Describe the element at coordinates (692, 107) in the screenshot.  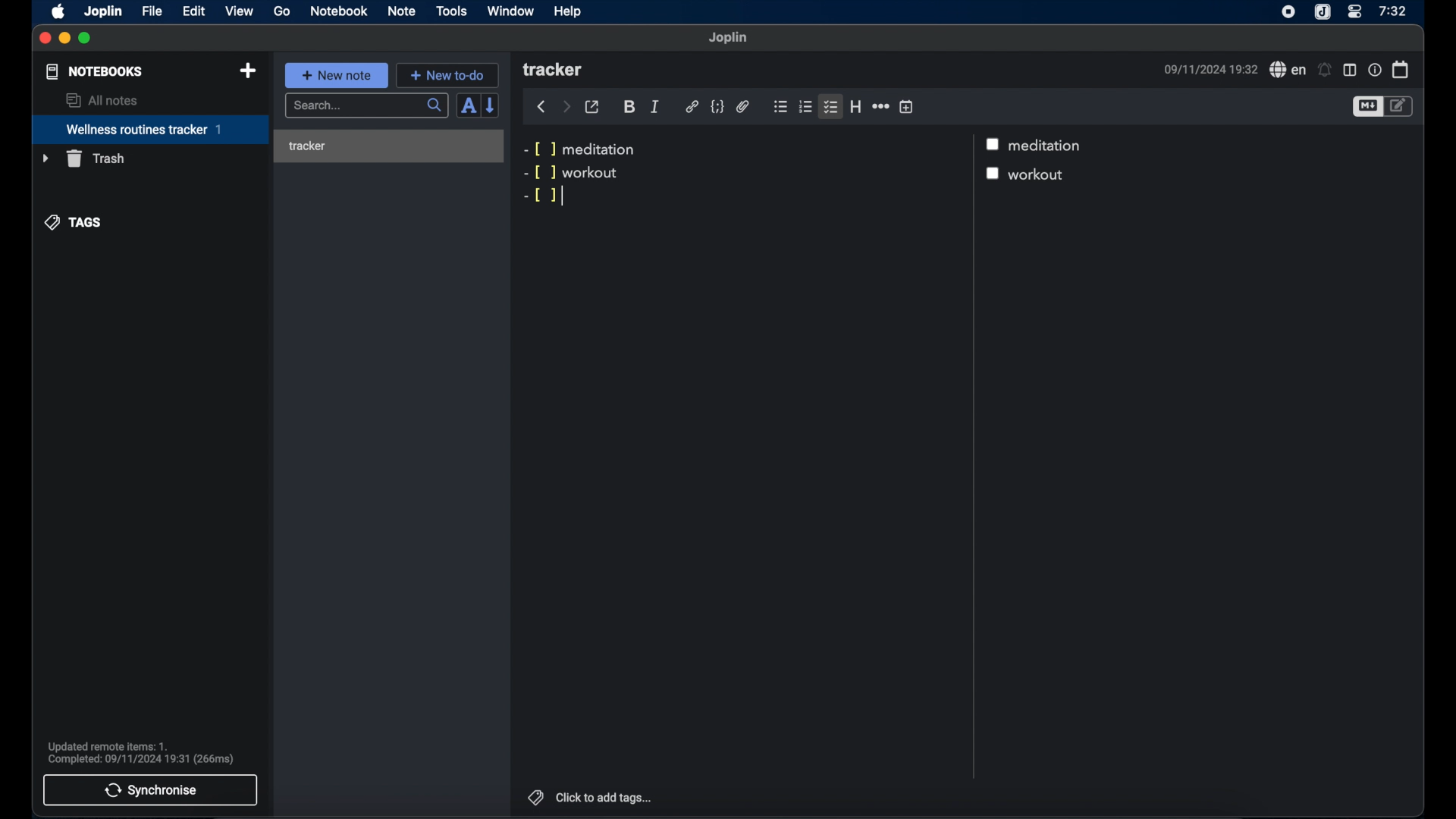
I see `hyperlink` at that location.